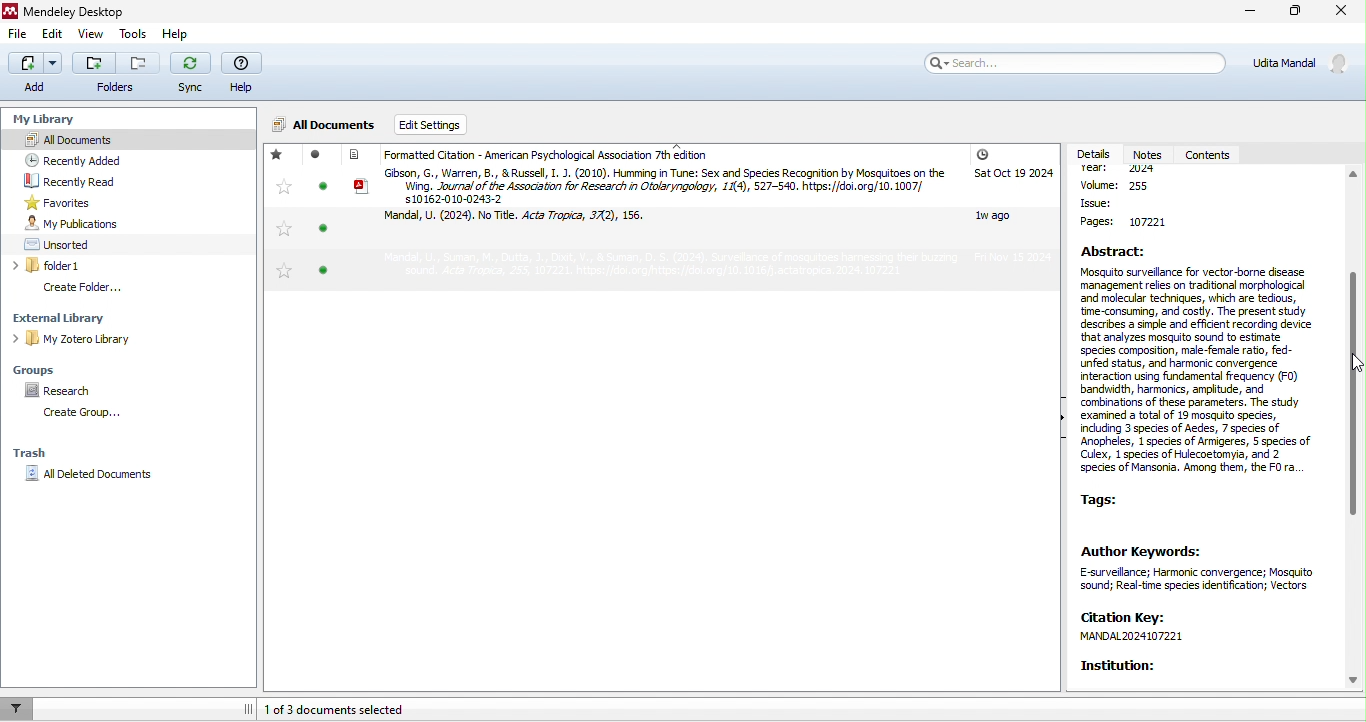  Describe the element at coordinates (1012, 207) in the screenshot. I see `added date` at that location.